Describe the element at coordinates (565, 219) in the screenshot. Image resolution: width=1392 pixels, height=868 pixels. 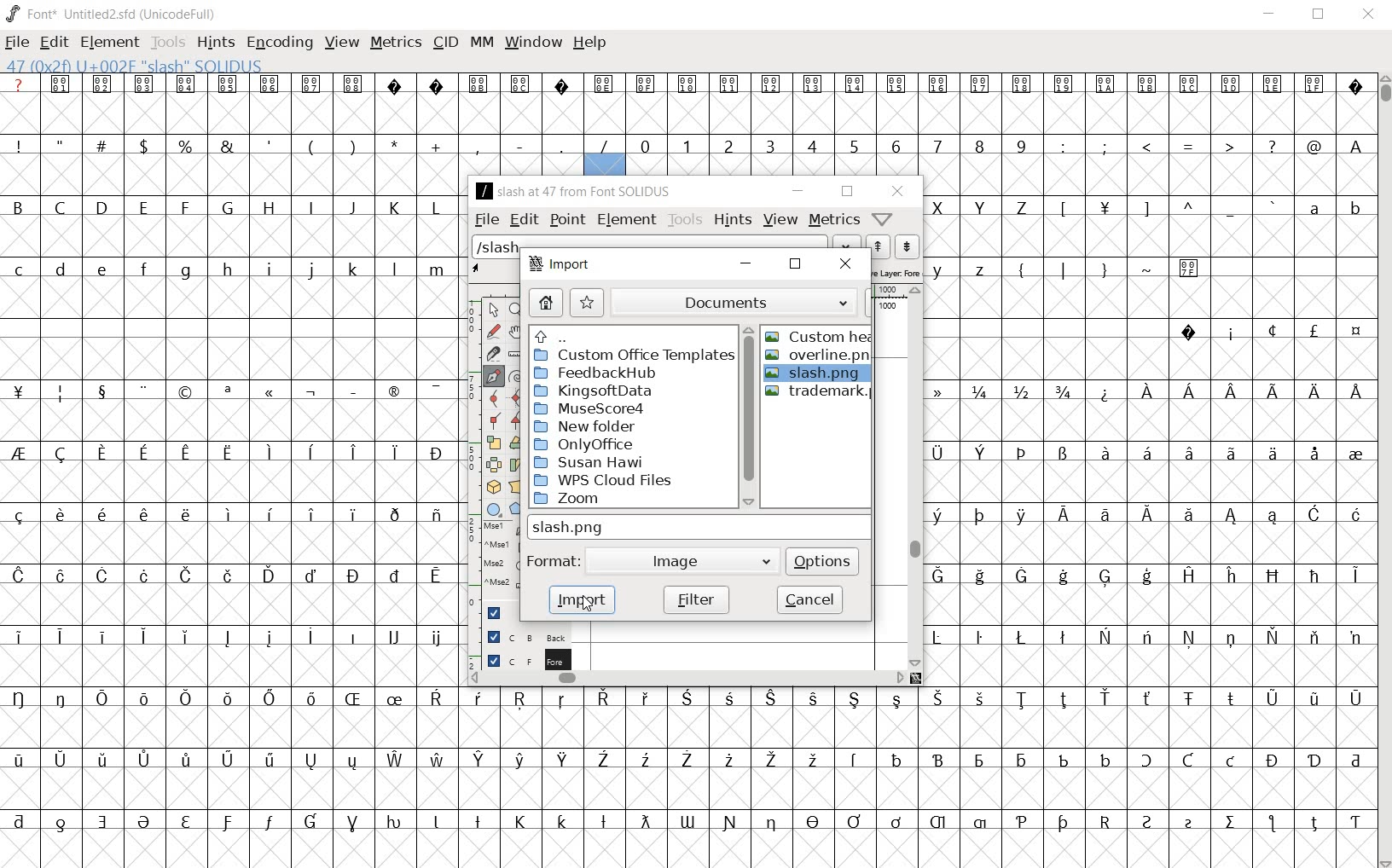
I see `point` at that location.